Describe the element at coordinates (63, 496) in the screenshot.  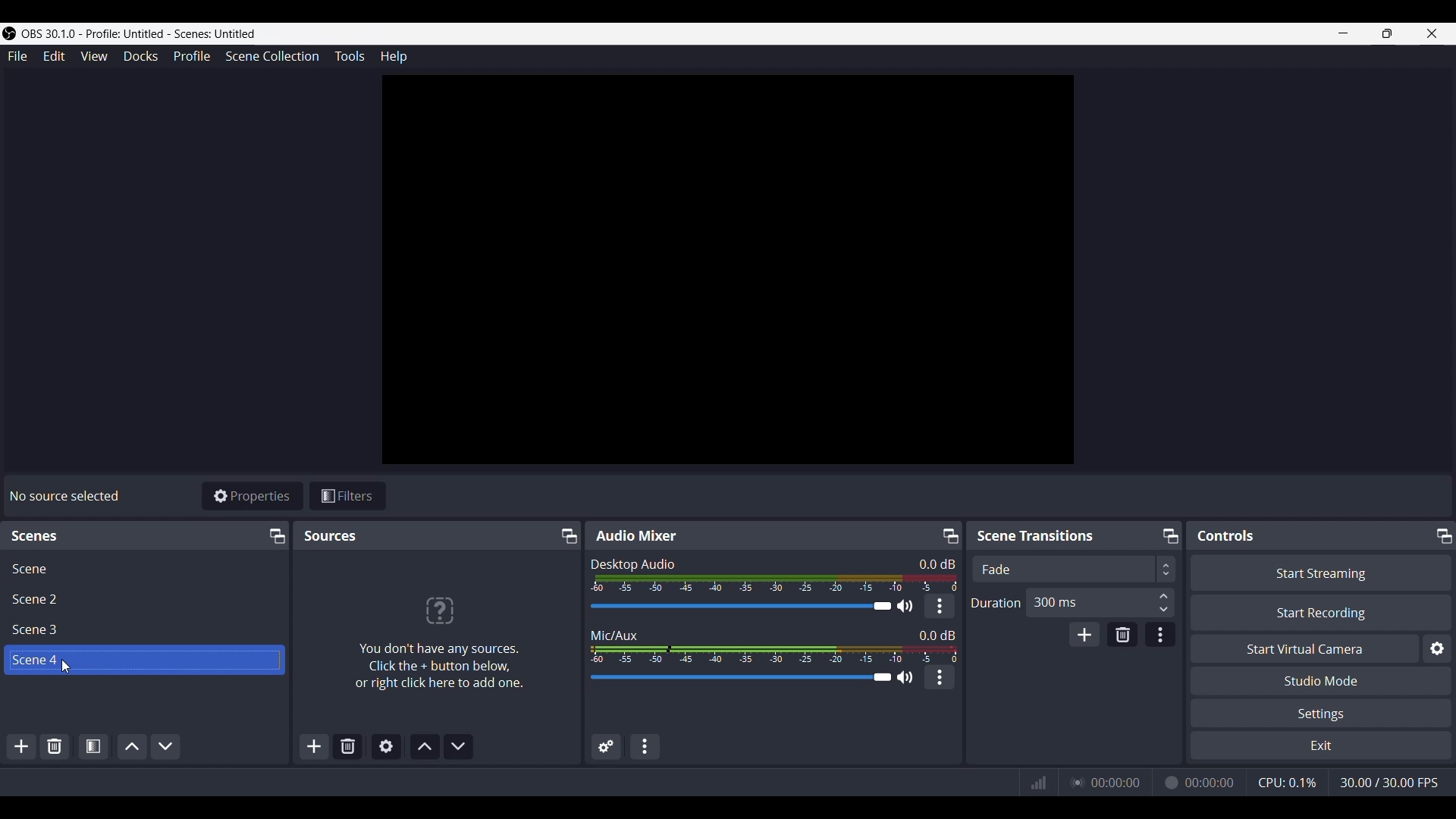
I see `No sources selected` at that location.